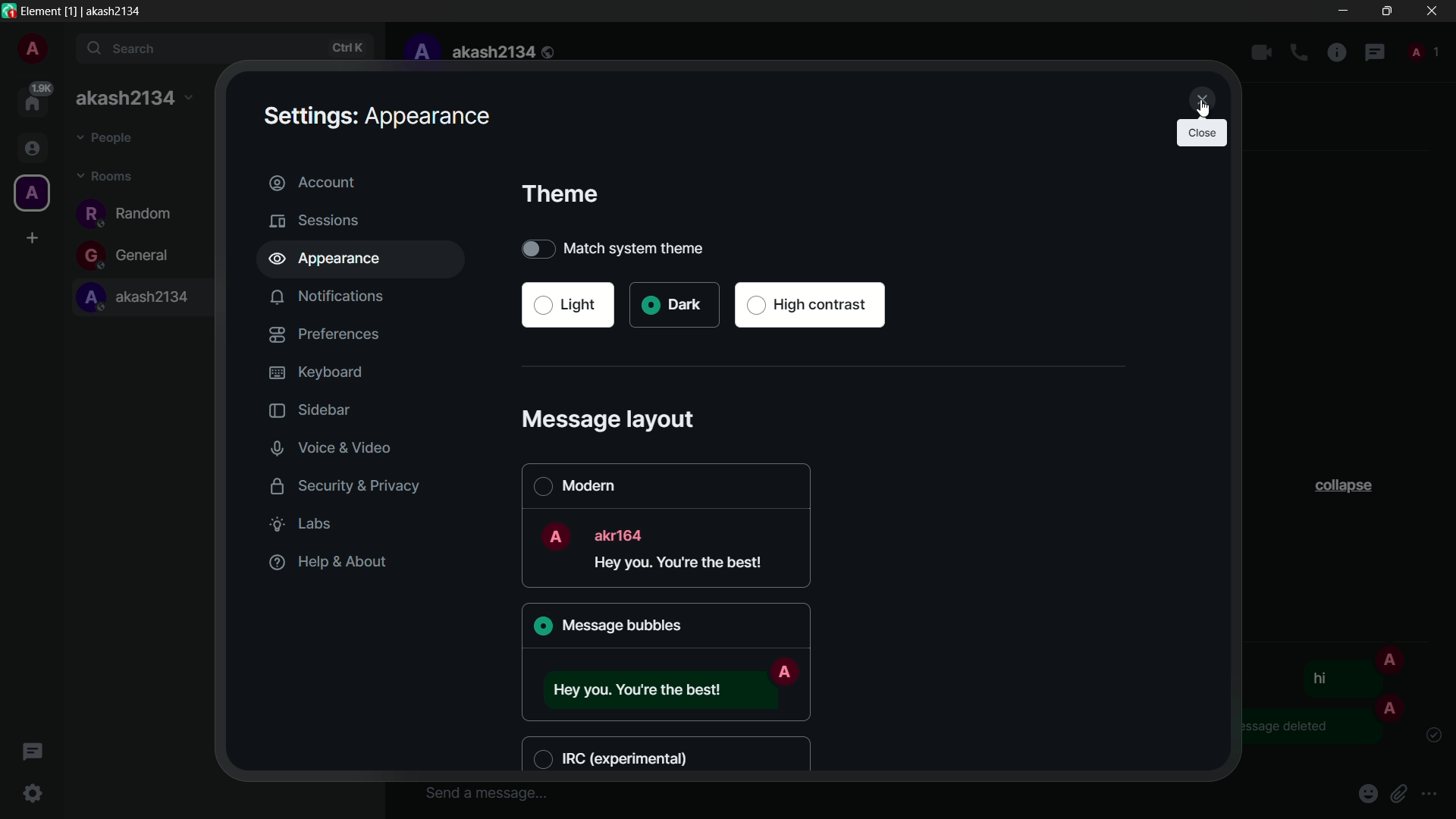  What do you see at coordinates (35, 99) in the screenshot?
I see `home page` at bounding box center [35, 99].